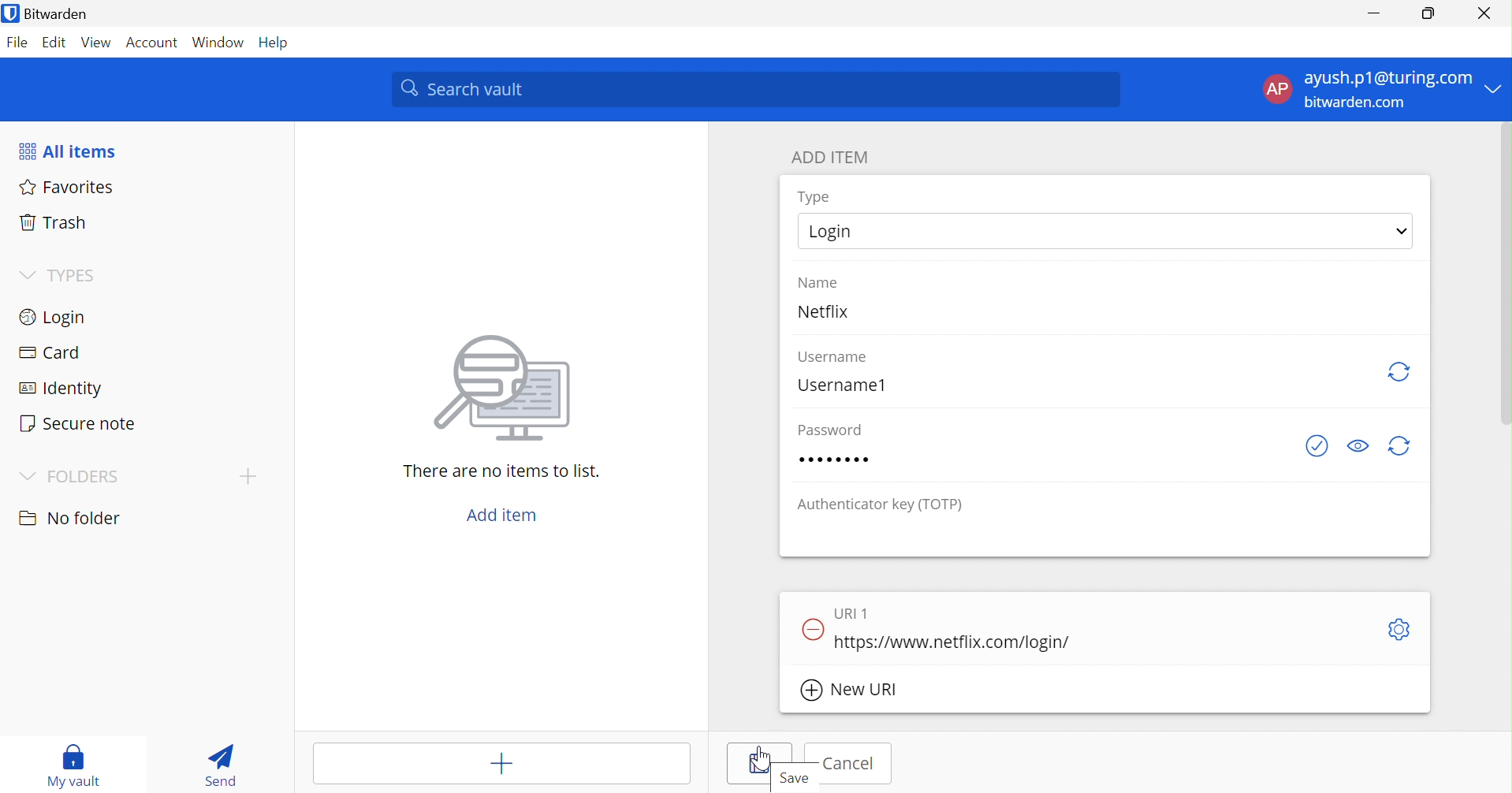  I want to click on Type, so click(813, 196).